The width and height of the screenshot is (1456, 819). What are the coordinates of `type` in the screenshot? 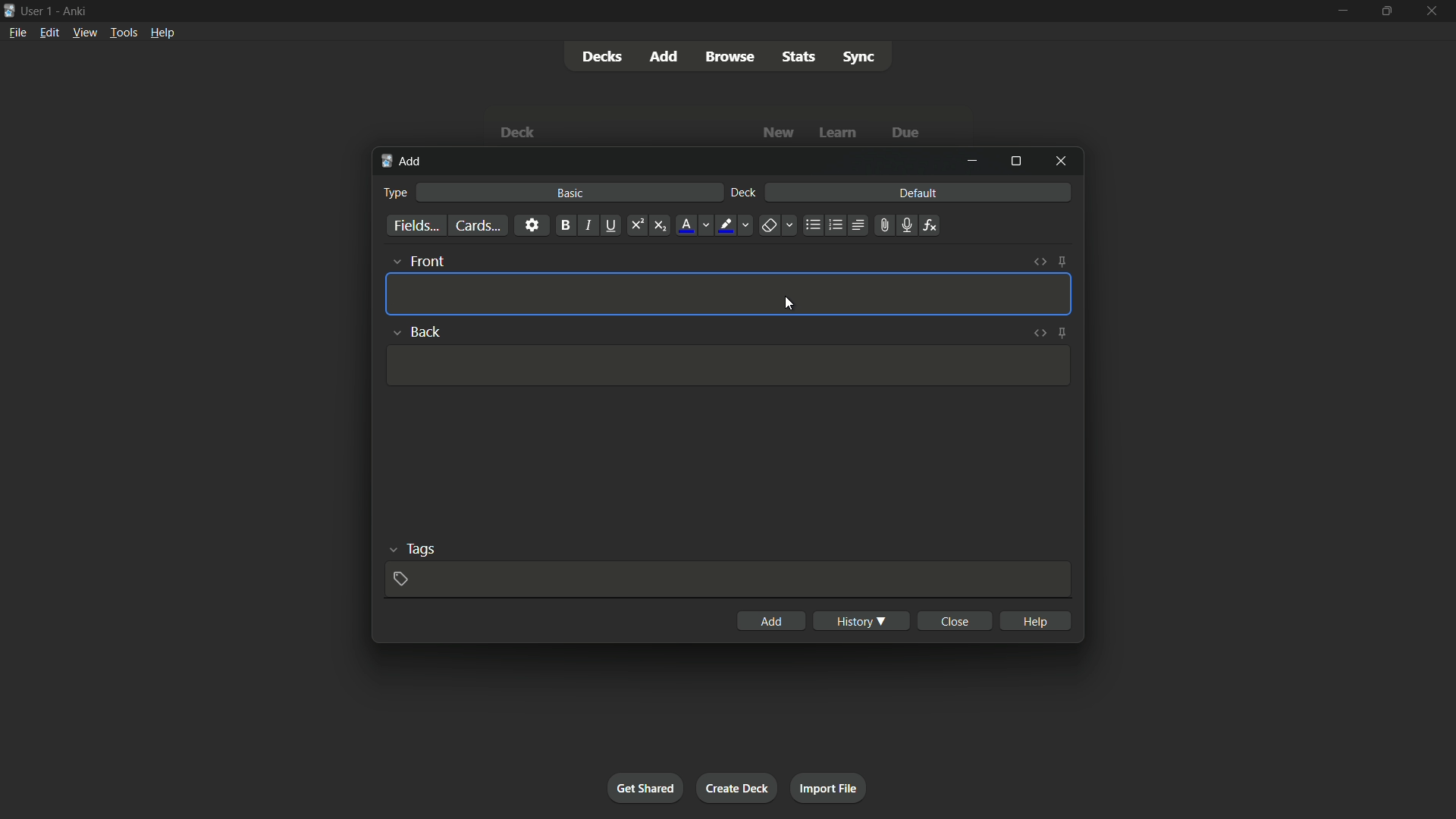 It's located at (394, 193).